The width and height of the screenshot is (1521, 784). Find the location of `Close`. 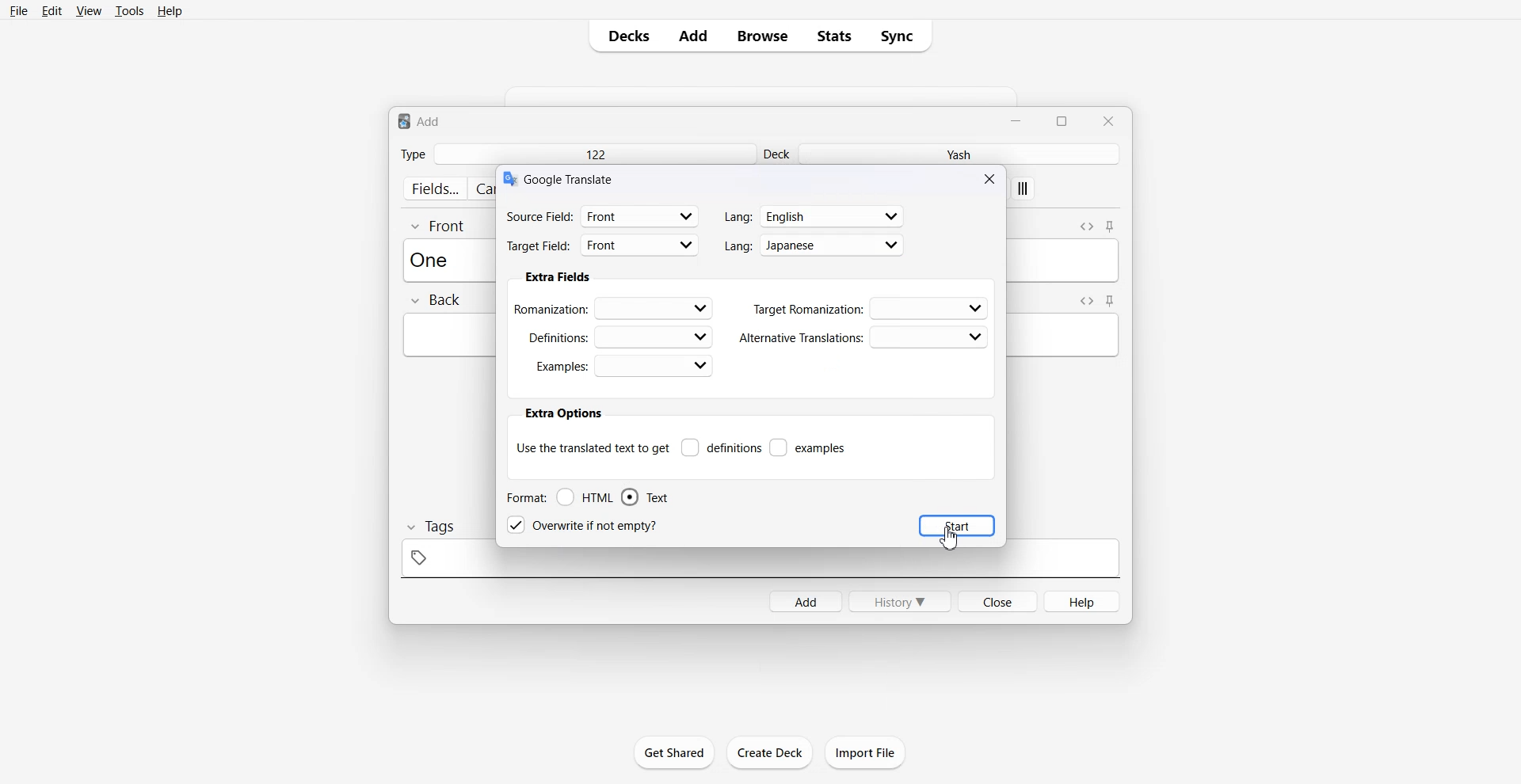

Close is located at coordinates (992, 178).